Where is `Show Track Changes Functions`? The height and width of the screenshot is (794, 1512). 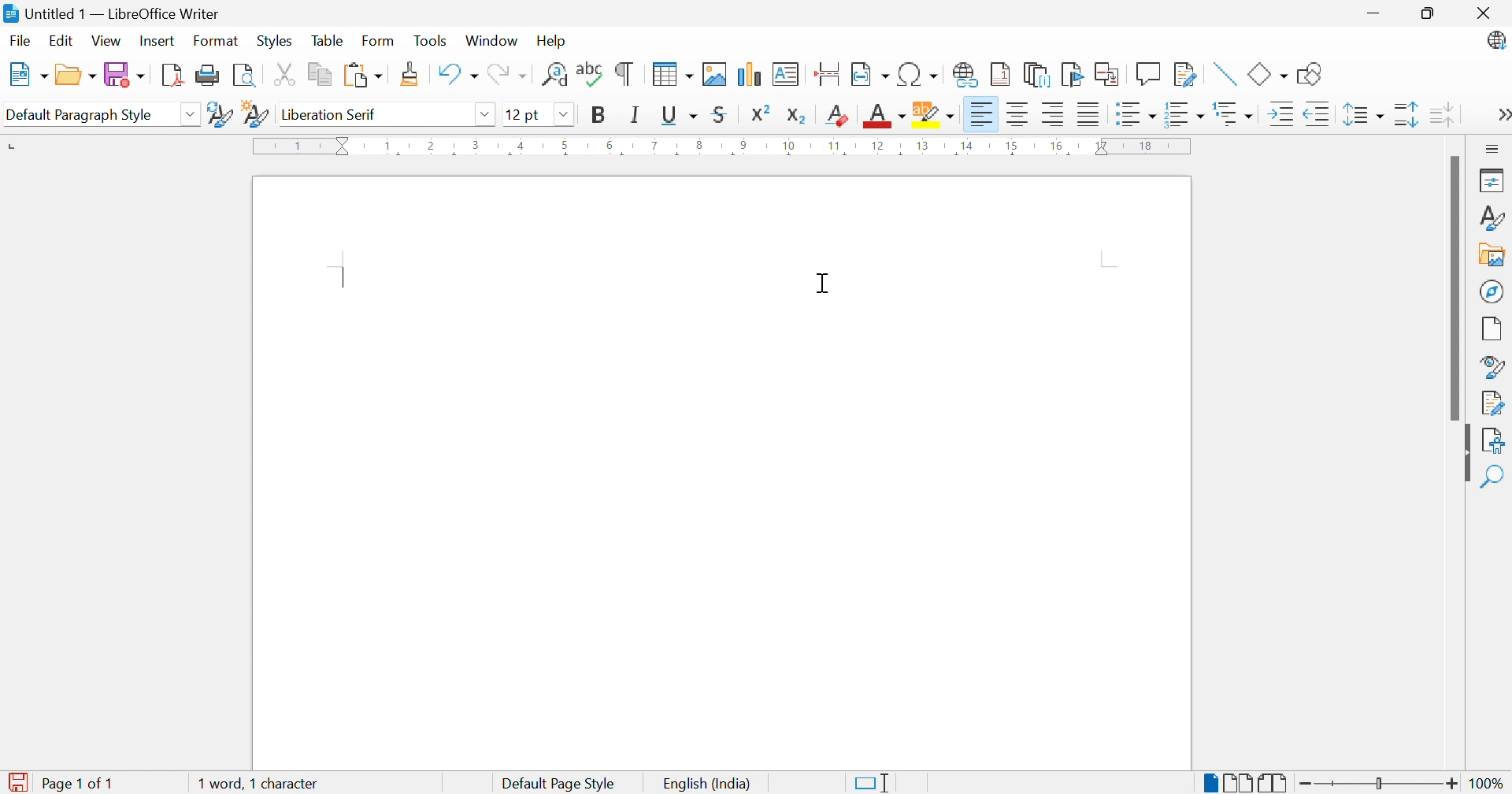
Show Track Changes Functions is located at coordinates (1183, 74).